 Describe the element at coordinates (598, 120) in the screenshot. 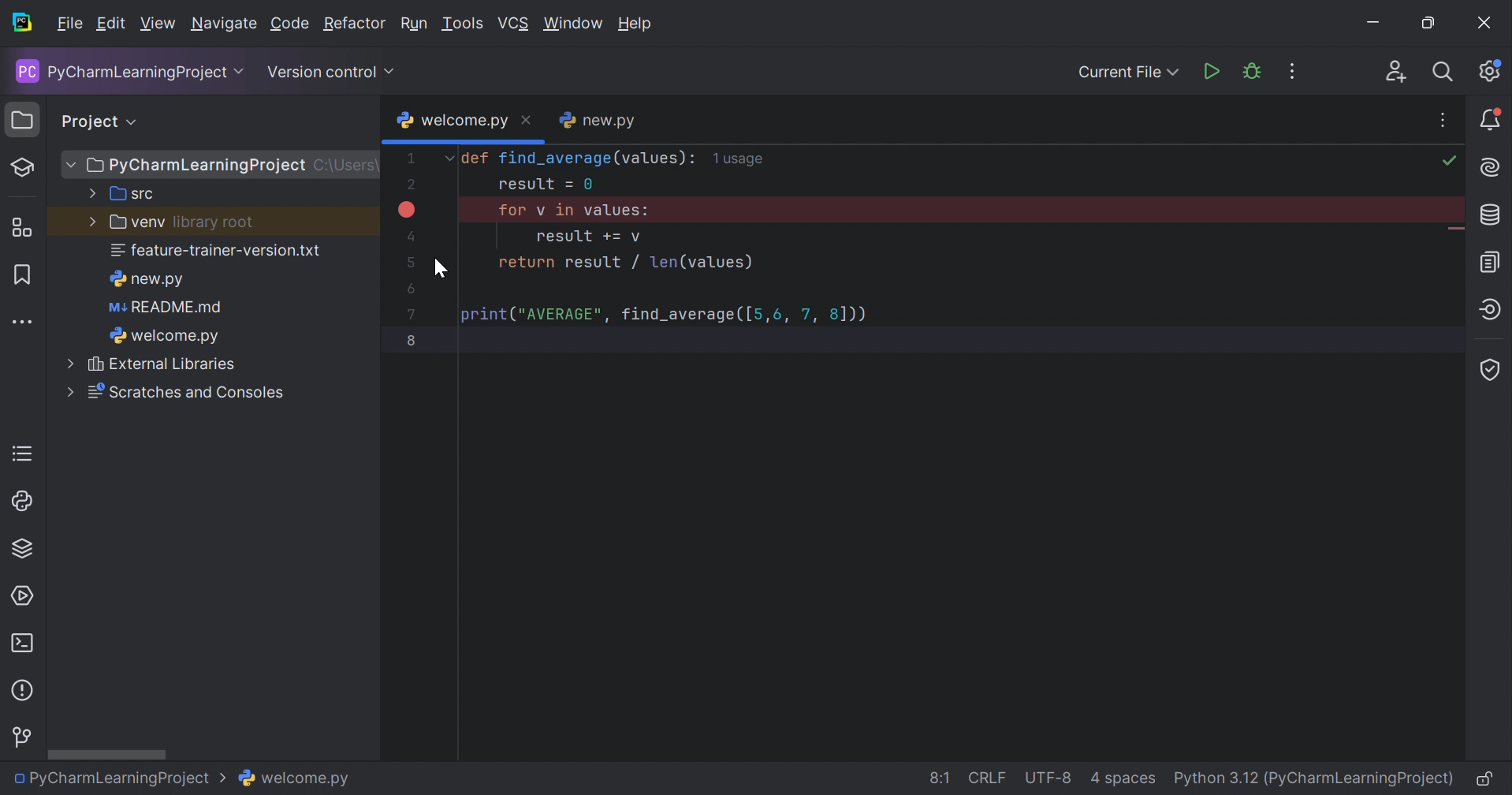

I see `new.py` at that location.